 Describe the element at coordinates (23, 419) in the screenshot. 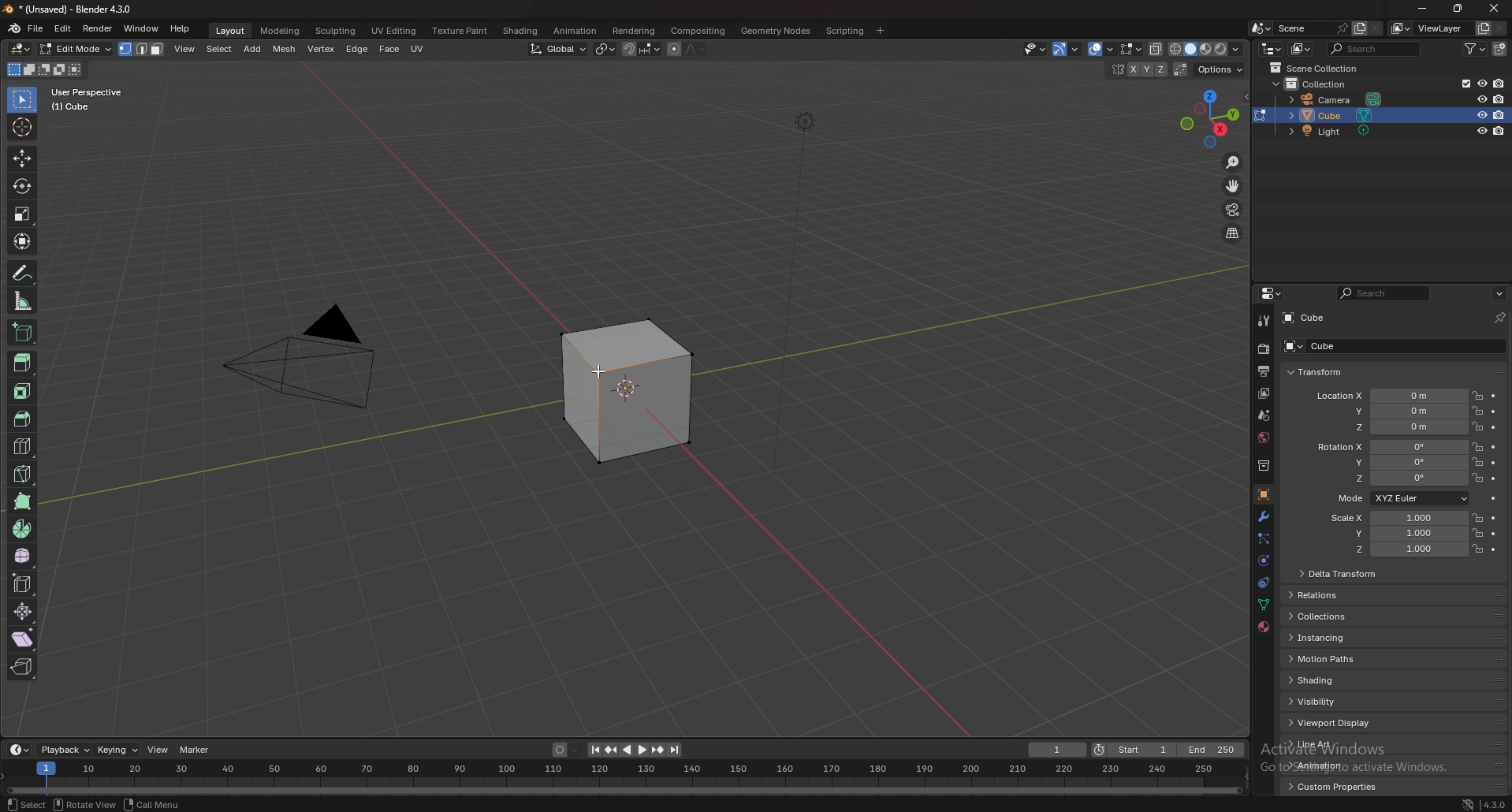

I see `bevel` at that location.